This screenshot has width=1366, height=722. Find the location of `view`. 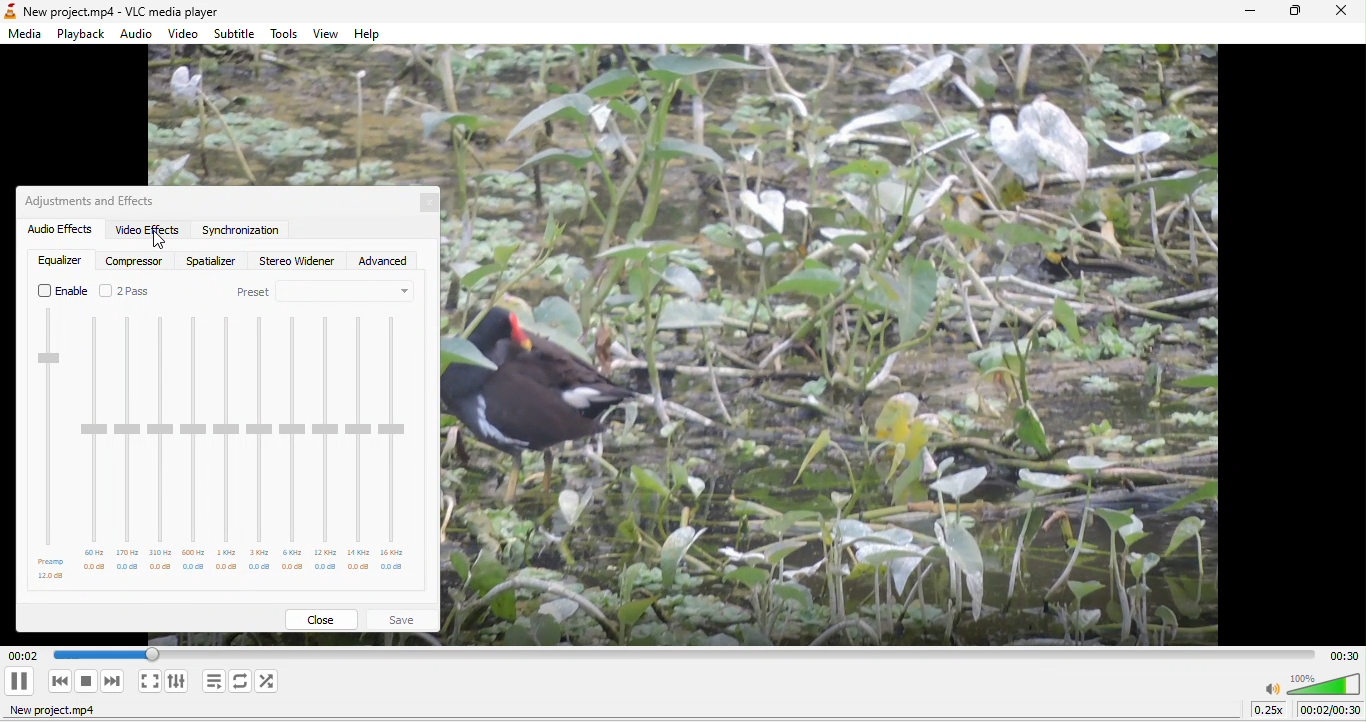

view is located at coordinates (324, 34).